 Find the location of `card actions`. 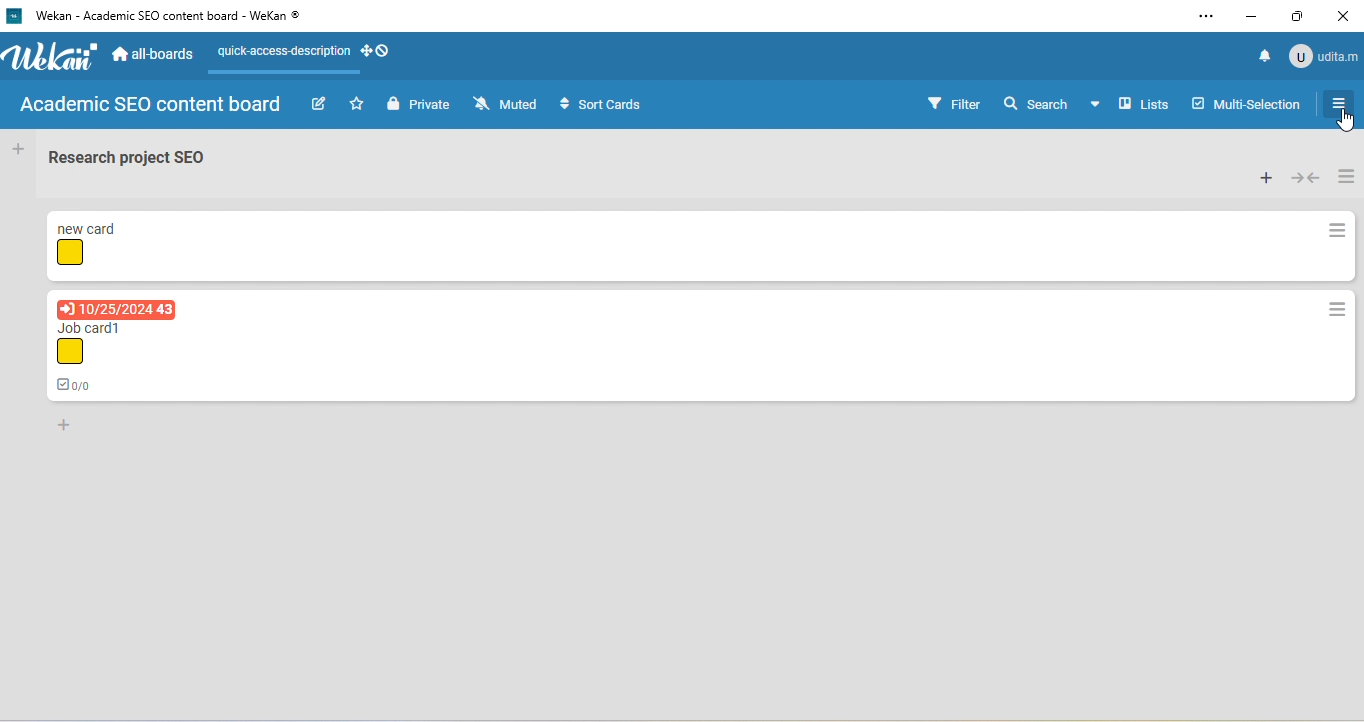

card actions is located at coordinates (1338, 231).